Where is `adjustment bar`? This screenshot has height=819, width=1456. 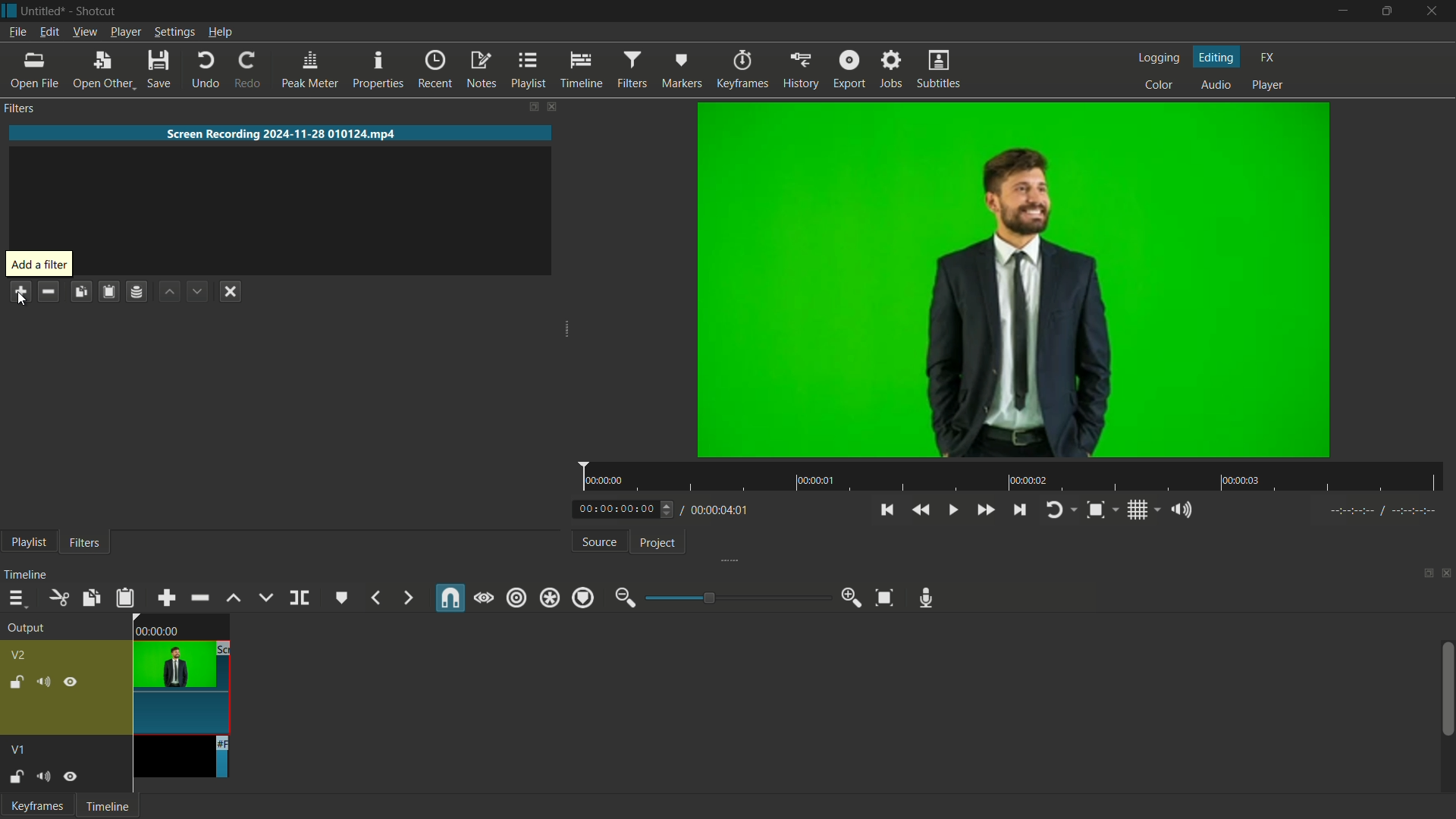 adjustment bar is located at coordinates (736, 597).